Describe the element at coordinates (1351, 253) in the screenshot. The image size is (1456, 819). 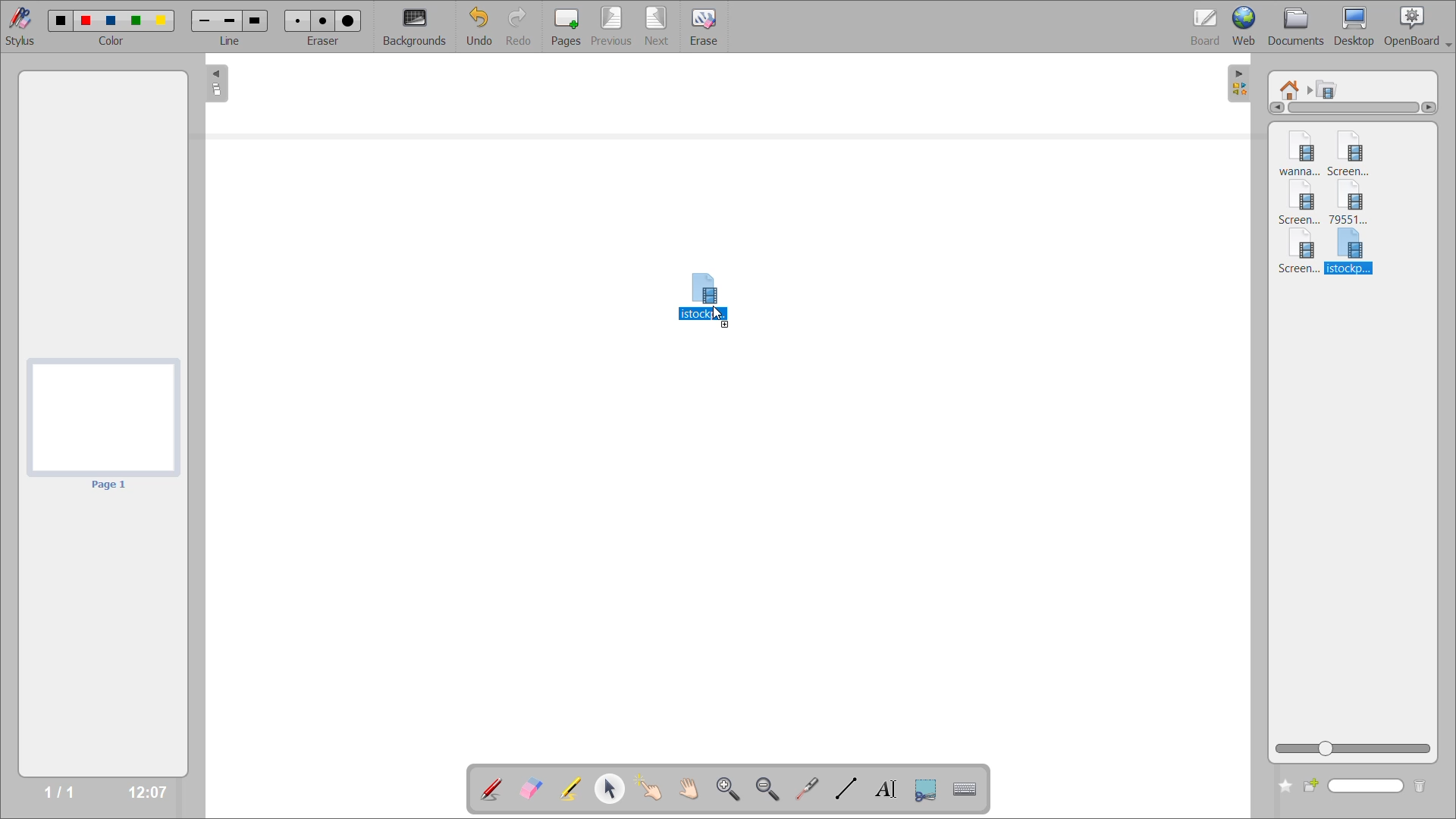
I see `video 6` at that location.